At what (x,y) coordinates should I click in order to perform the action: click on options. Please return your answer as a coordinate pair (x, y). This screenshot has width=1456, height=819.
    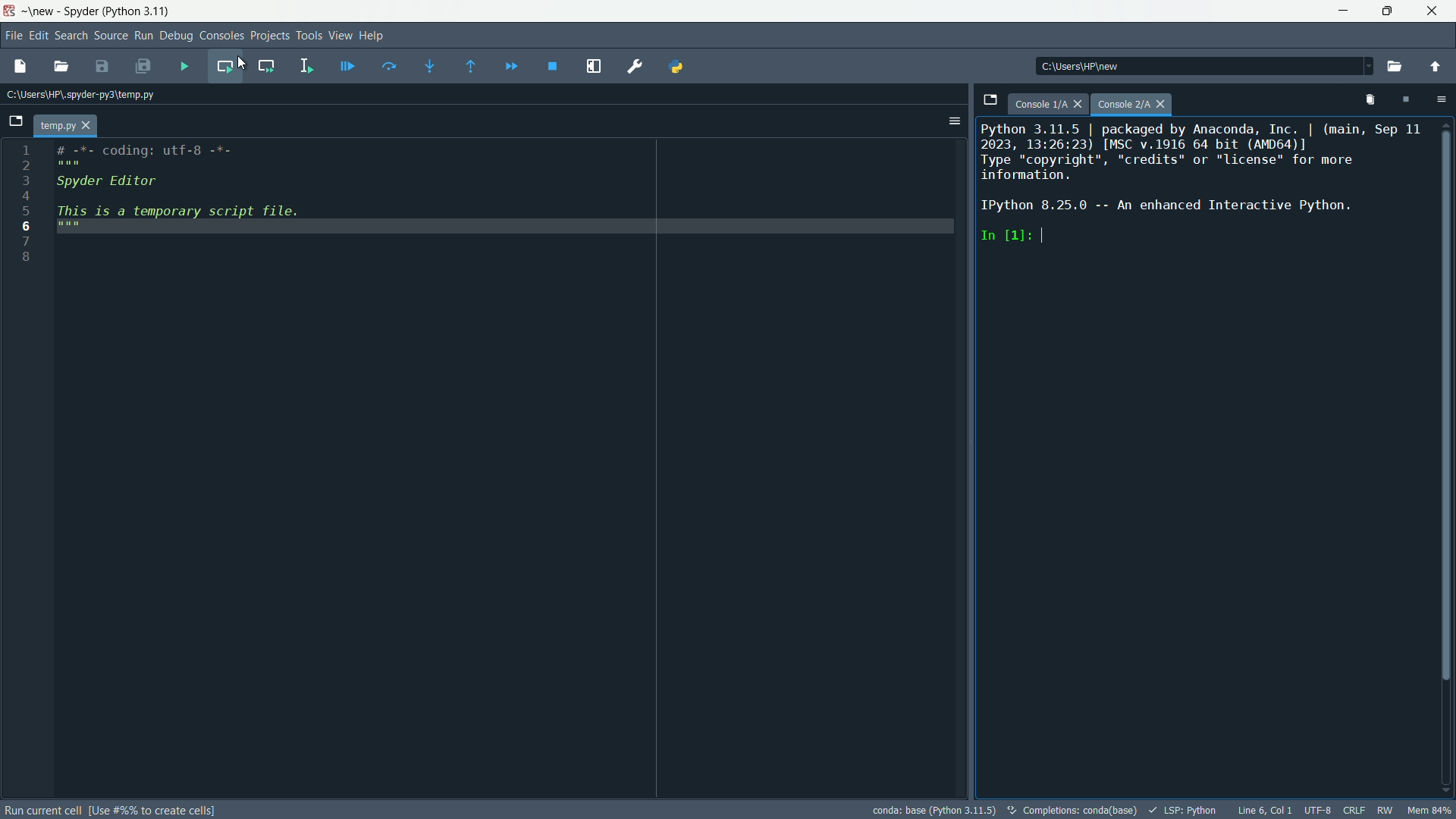
    Looking at the image, I should click on (1441, 99).